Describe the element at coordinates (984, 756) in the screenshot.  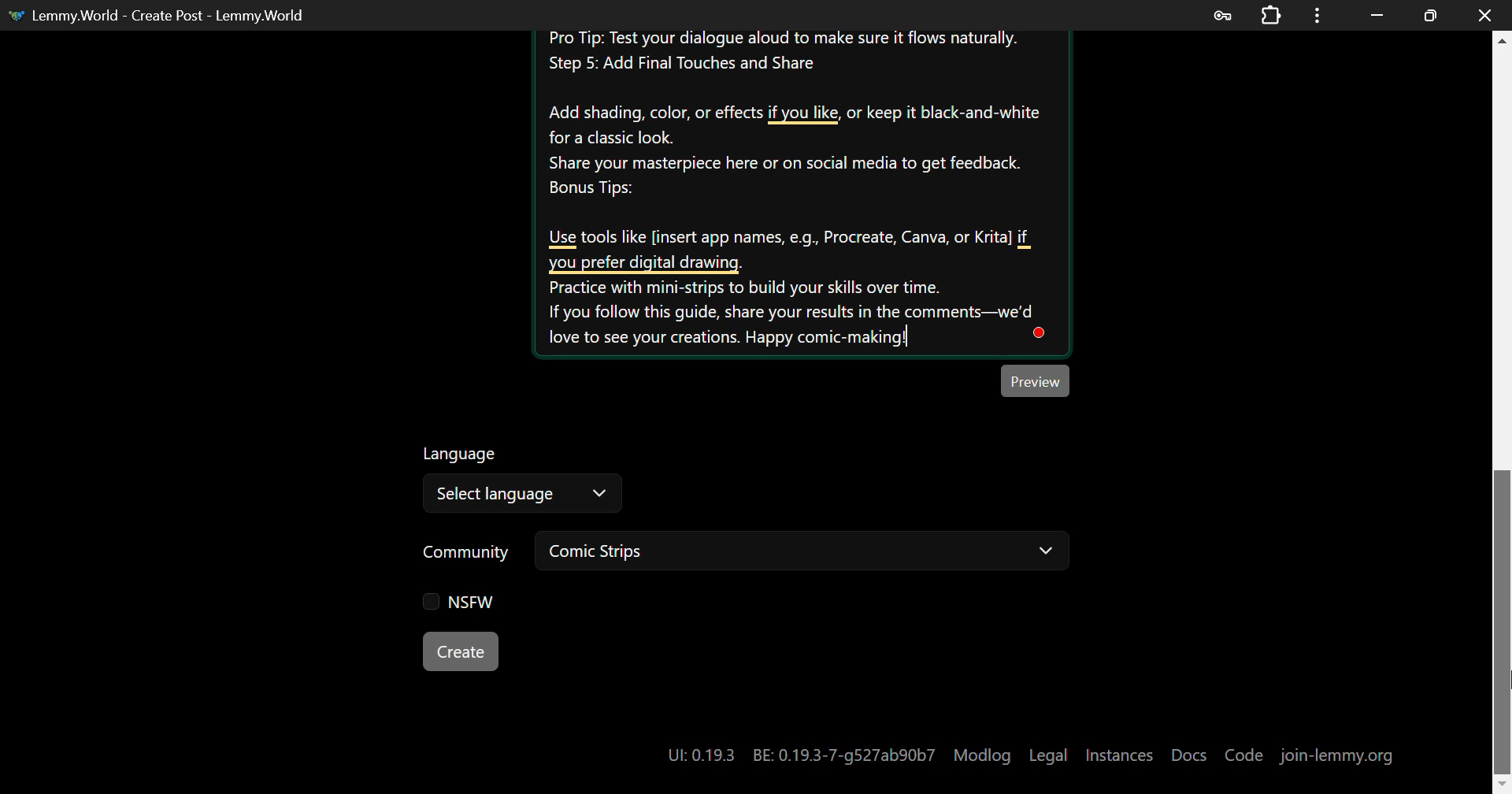
I see `Modlog` at that location.